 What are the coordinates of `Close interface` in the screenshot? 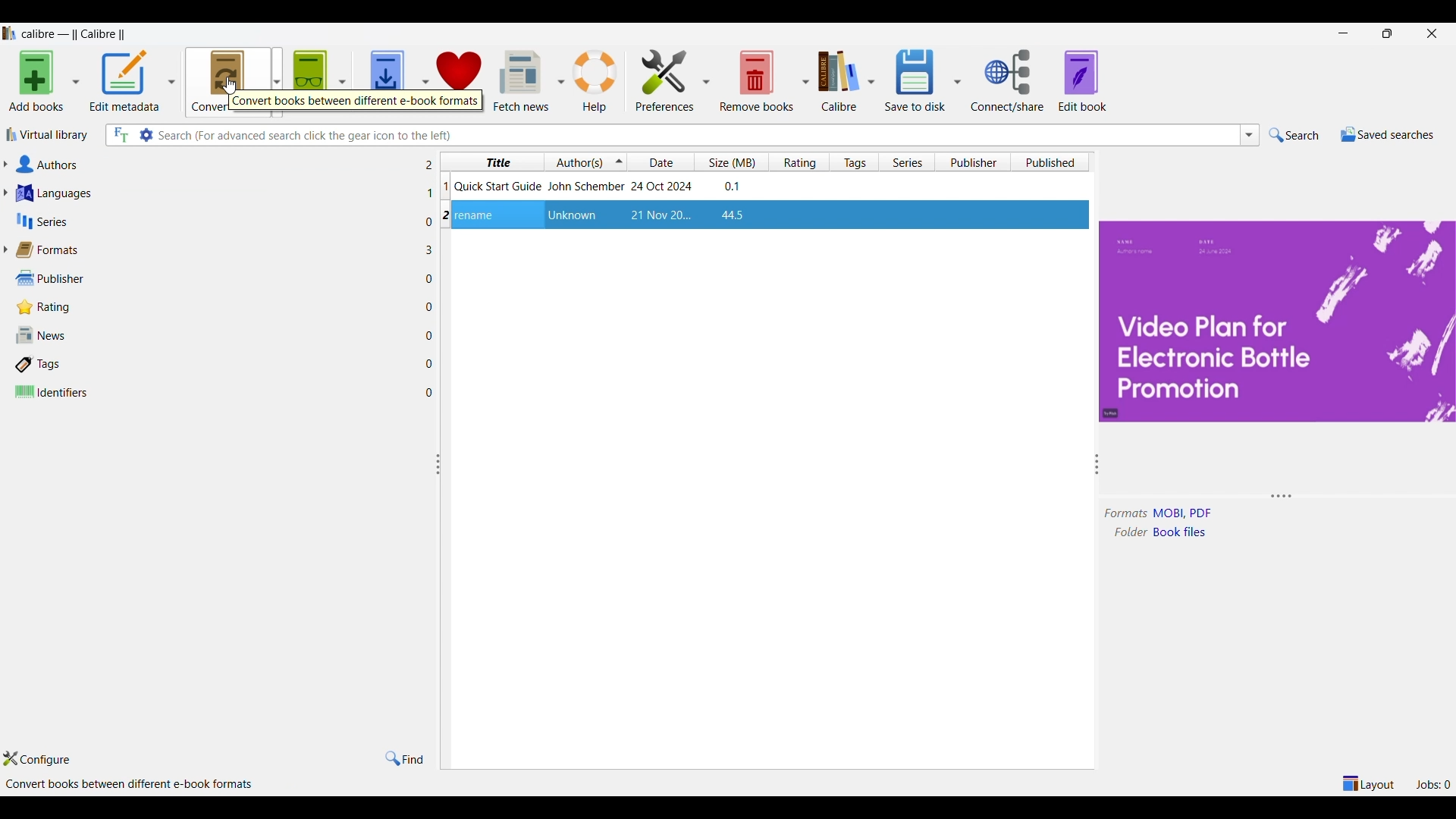 It's located at (1432, 33).